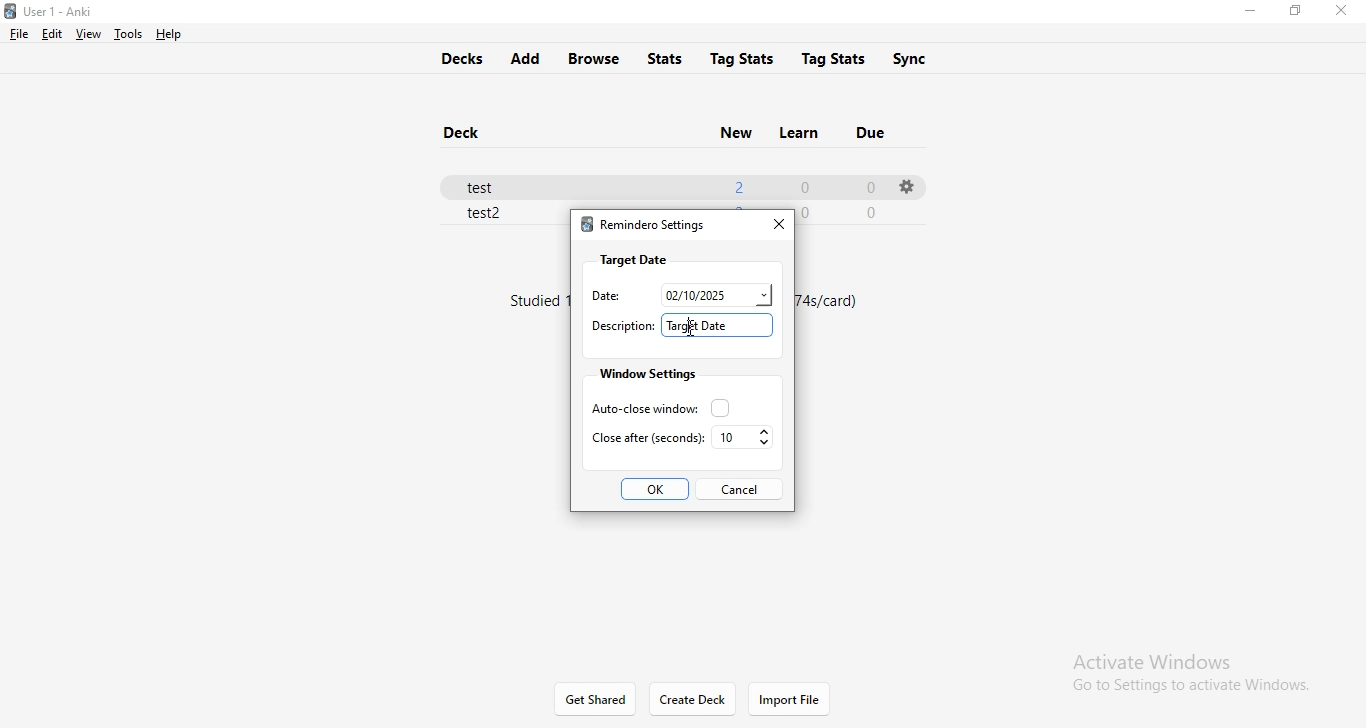 The width and height of the screenshot is (1366, 728). I want to click on close, so click(775, 222).